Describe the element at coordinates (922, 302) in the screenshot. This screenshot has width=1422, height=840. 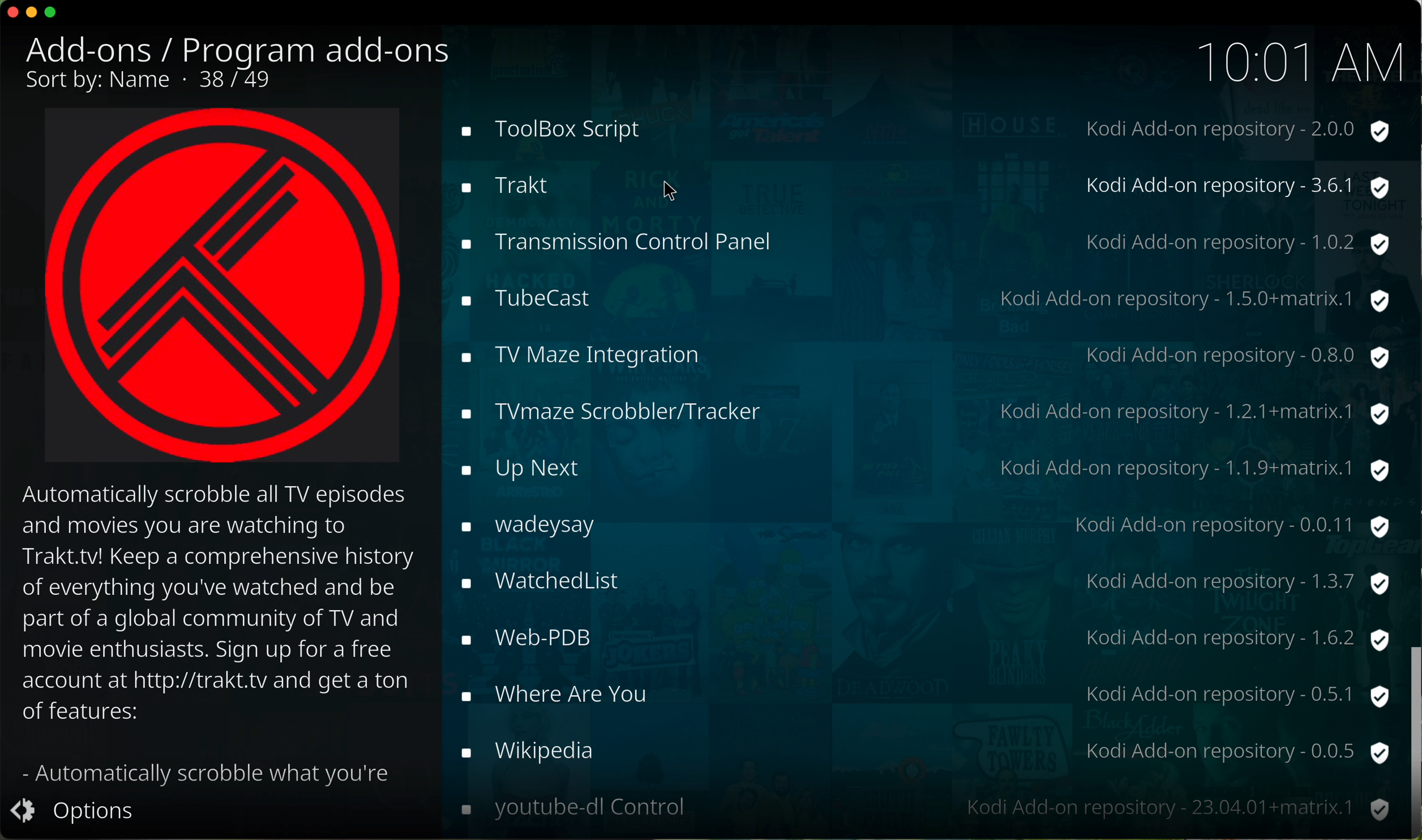
I see `tubecast` at that location.